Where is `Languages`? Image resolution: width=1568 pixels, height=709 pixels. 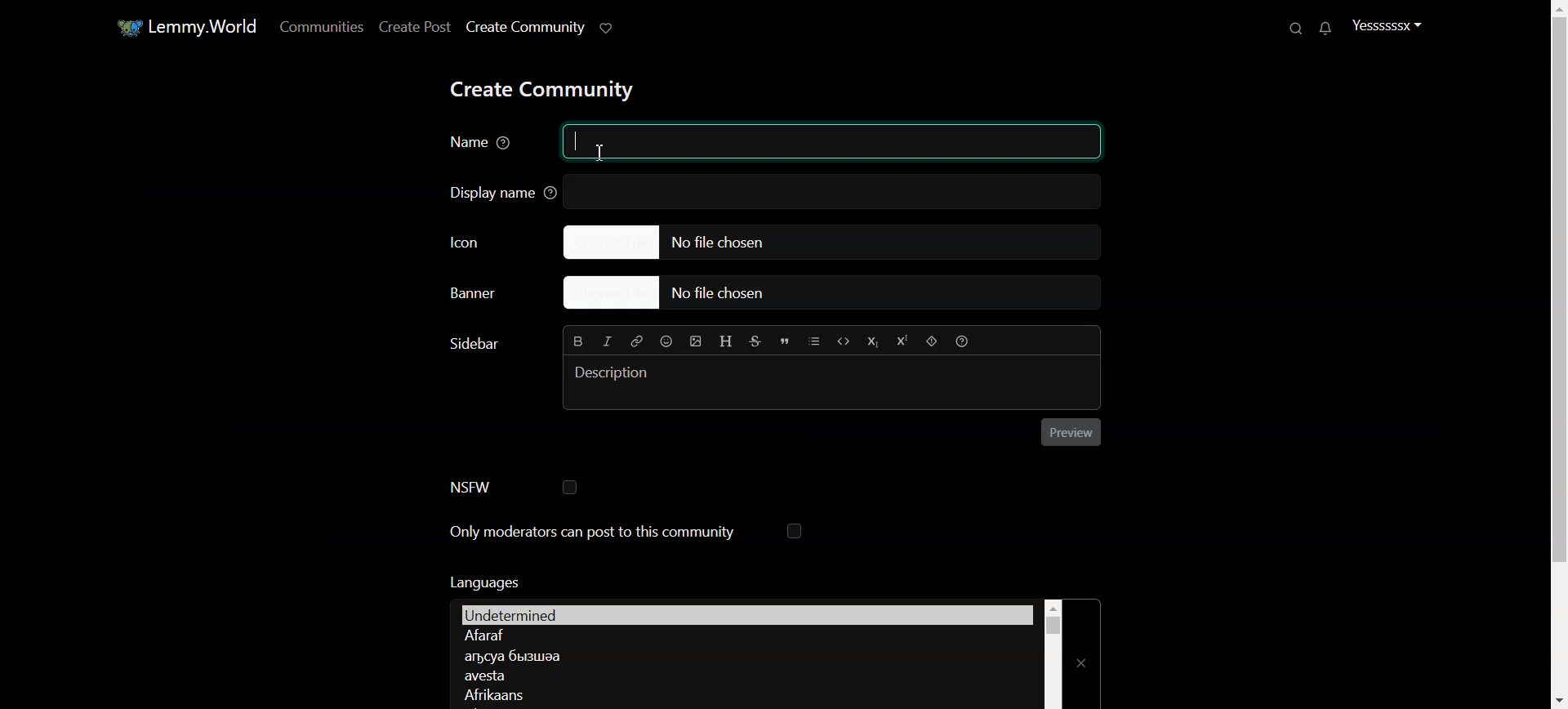 Languages is located at coordinates (746, 613).